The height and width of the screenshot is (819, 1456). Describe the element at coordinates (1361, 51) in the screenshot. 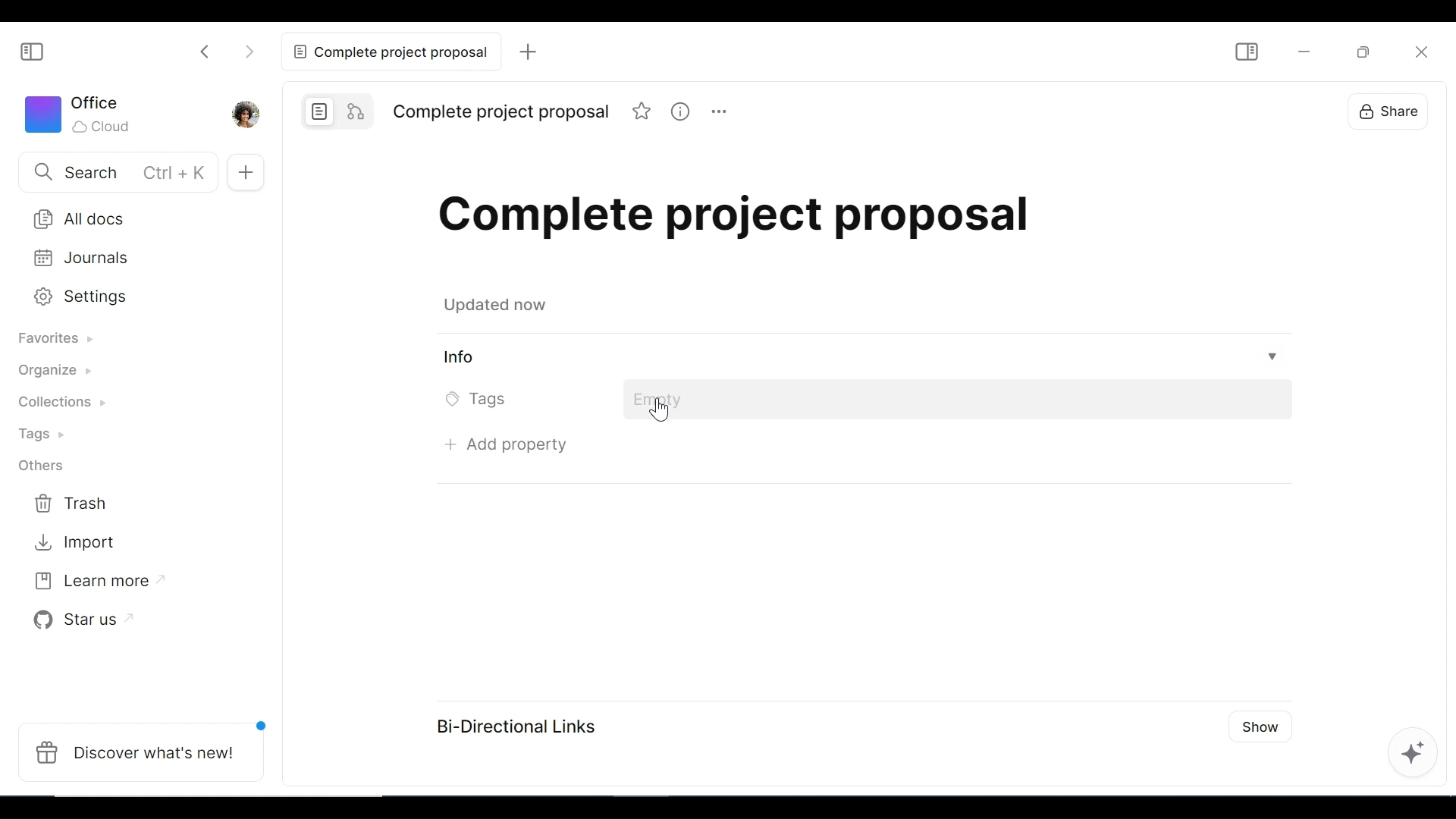

I see `Restore` at that location.